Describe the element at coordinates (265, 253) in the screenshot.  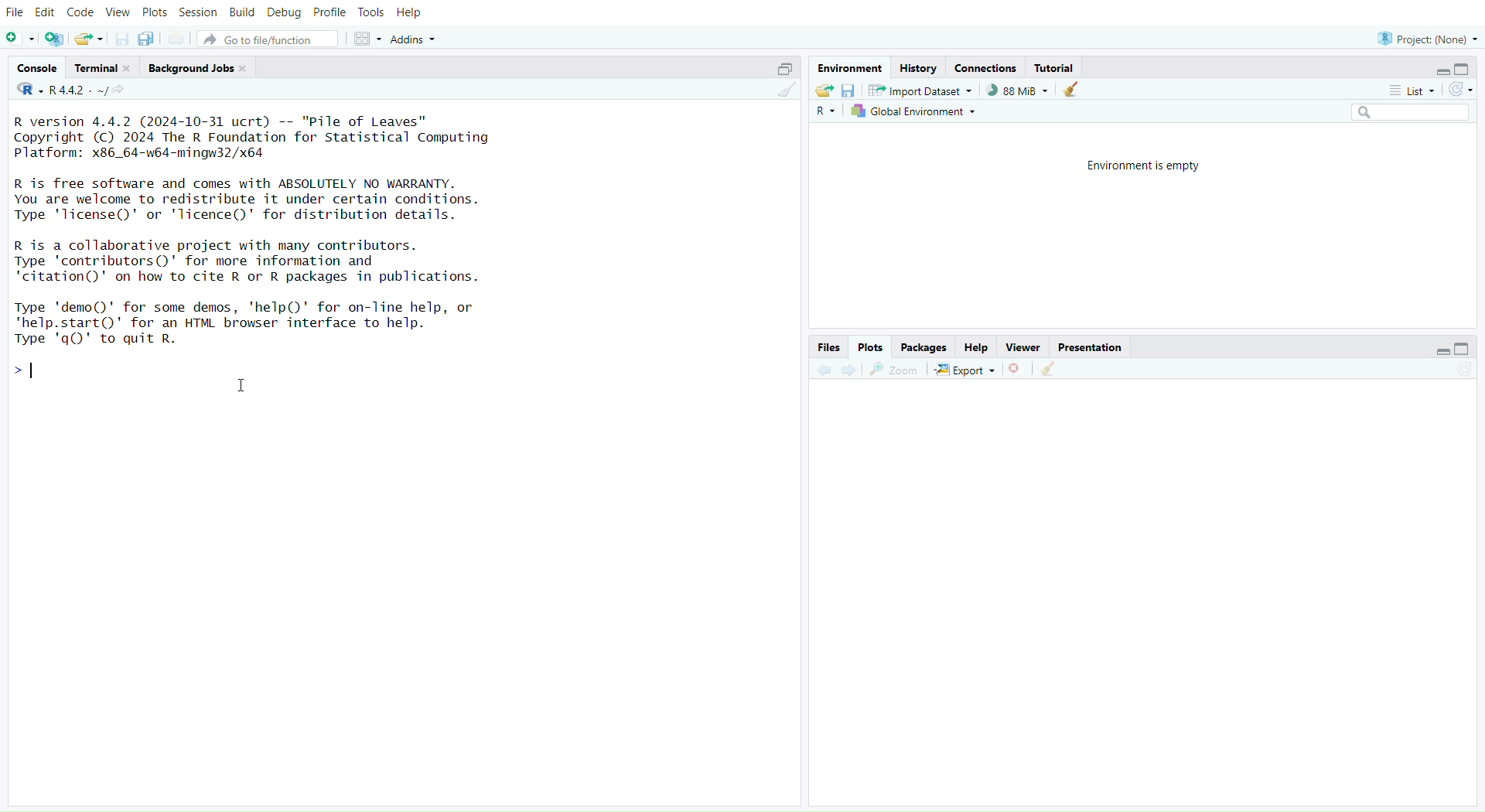
I see `R version 4.4.2 (2024-10-31 ucrt) -- "Pile of Leaves"
Copyright (C) 2024 The R Foundation for Statistical Computing
Platform: x86_64-w64-mingw32/x64
R is free software and comes with ABSOLUTELY NO WARRANTY.
You are welcome to redistribute it under certain conditions.
Type 'license()' or 'licence()' for distribution details.
R is a collaborative project with many contributors.
Type 'contributors()' for more information and
"citation()' on how to cite R or R packages in publications.
Type 'demo()' for some demos, 'help()' for on-line help, or
"help.start()' for an HTML browser interface to help.
Type 'q()' to quit R.
-

I` at that location.